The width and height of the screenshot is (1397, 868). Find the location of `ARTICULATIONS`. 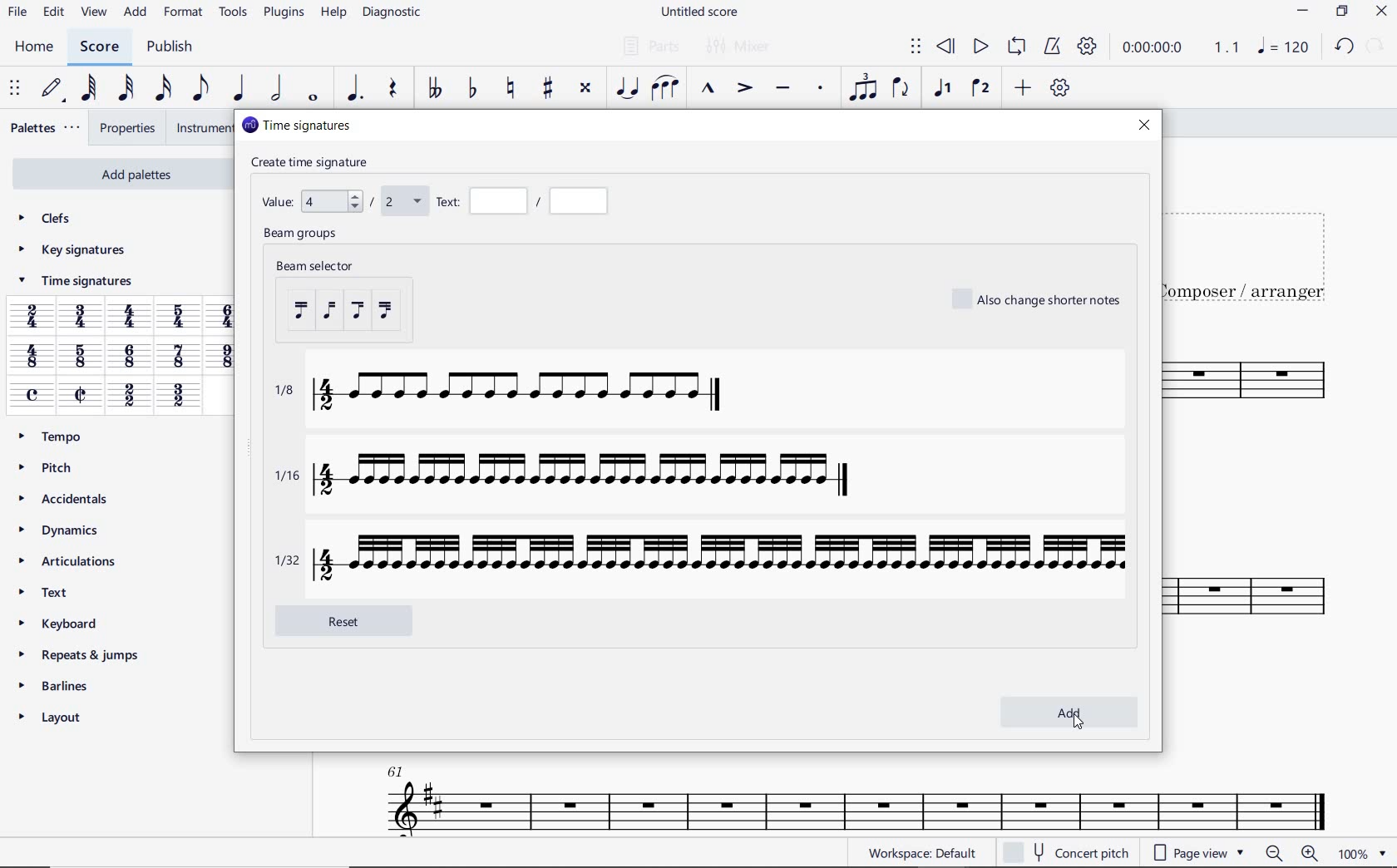

ARTICULATIONS is located at coordinates (70, 561).